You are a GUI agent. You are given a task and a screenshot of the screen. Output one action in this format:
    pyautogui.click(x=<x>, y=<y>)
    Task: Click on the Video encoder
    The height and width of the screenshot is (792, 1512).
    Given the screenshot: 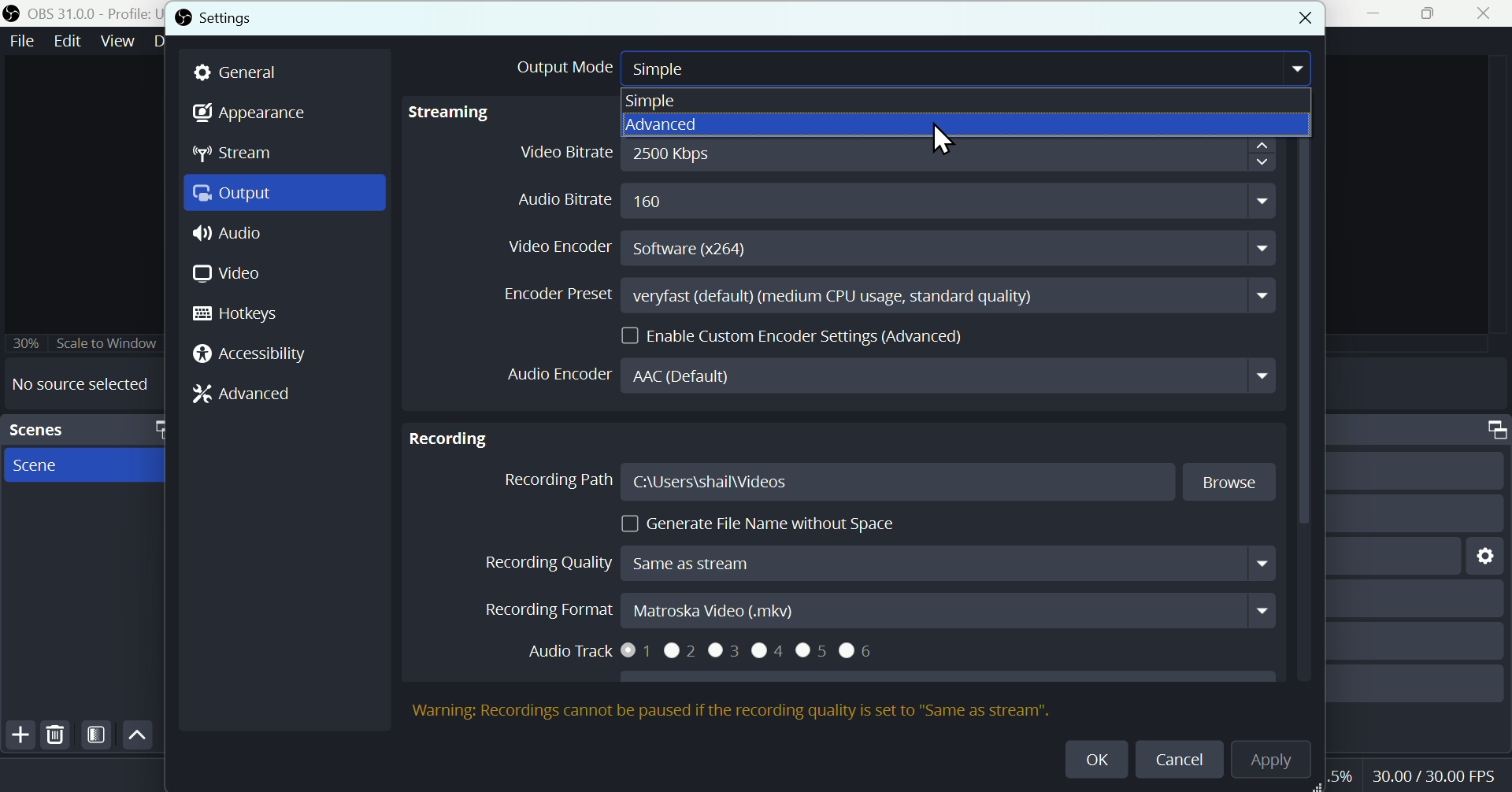 What is the action you would take?
    pyautogui.click(x=886, y=246)
    